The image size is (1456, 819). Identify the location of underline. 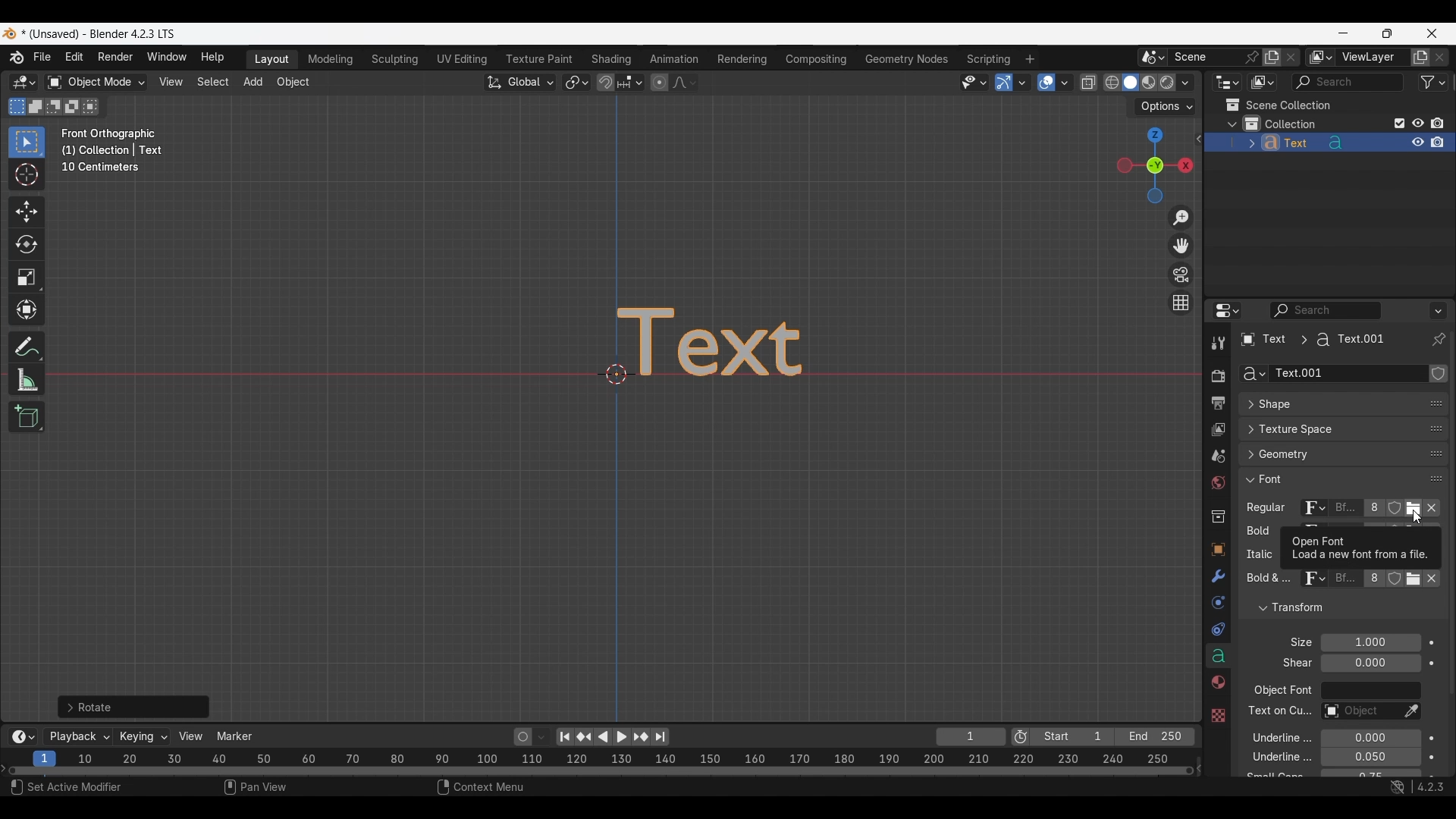
(1272, 737).